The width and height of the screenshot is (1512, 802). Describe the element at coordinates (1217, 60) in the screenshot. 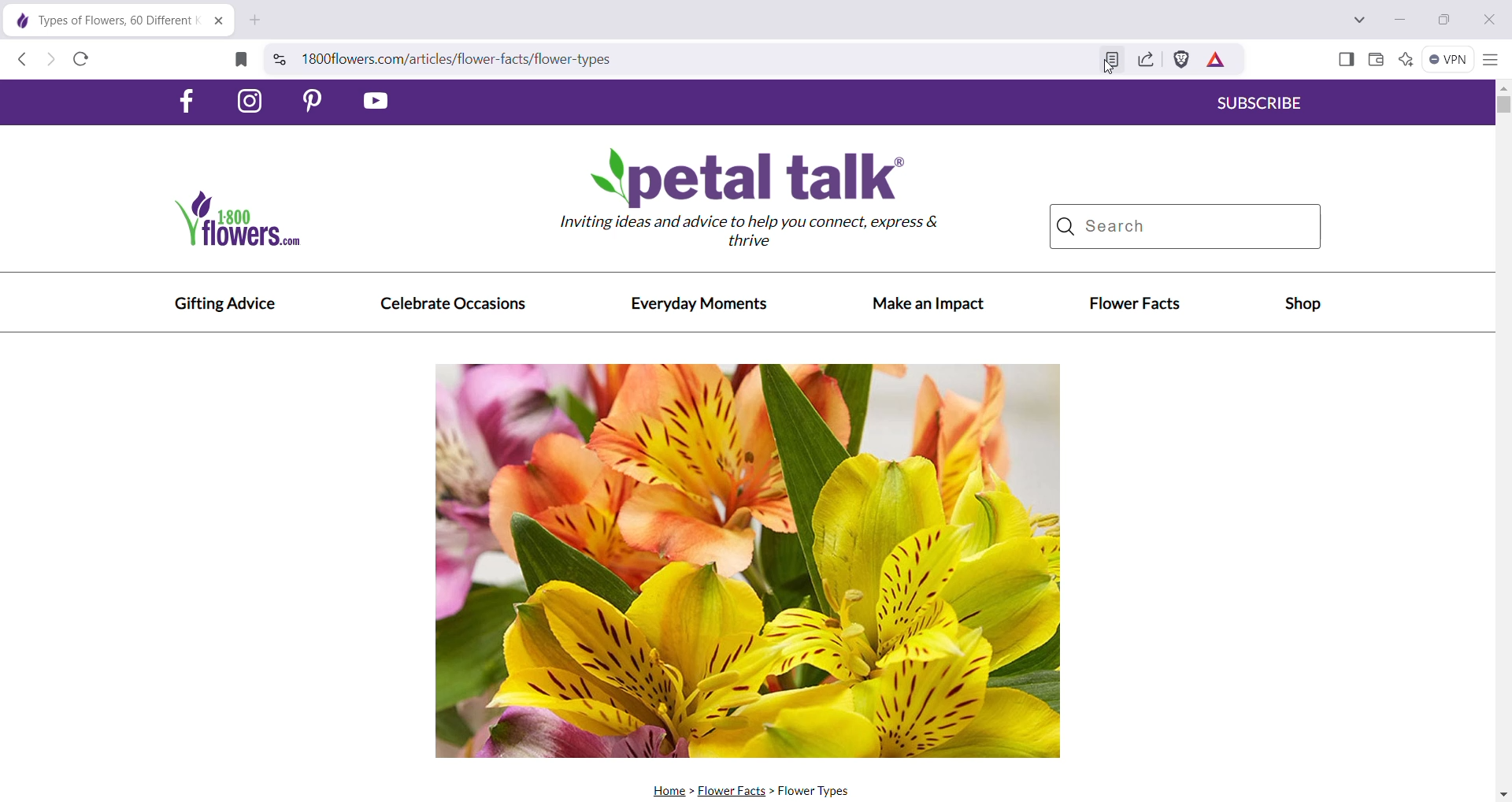

I see `Earn tokens for private ads you see in brave` at that location.